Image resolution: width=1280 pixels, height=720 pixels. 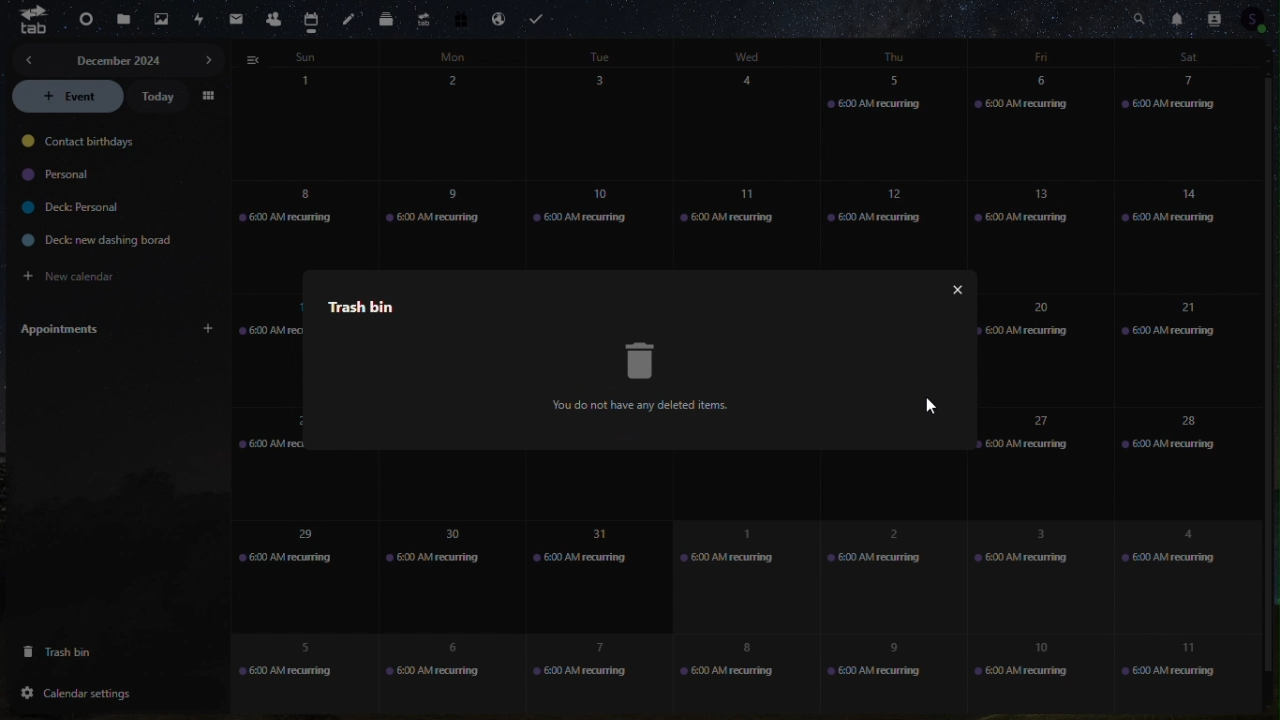 What do you see at coordinates (69, 208) in the screenshot?
I see `deck personal` at bounding box center [69, 208].